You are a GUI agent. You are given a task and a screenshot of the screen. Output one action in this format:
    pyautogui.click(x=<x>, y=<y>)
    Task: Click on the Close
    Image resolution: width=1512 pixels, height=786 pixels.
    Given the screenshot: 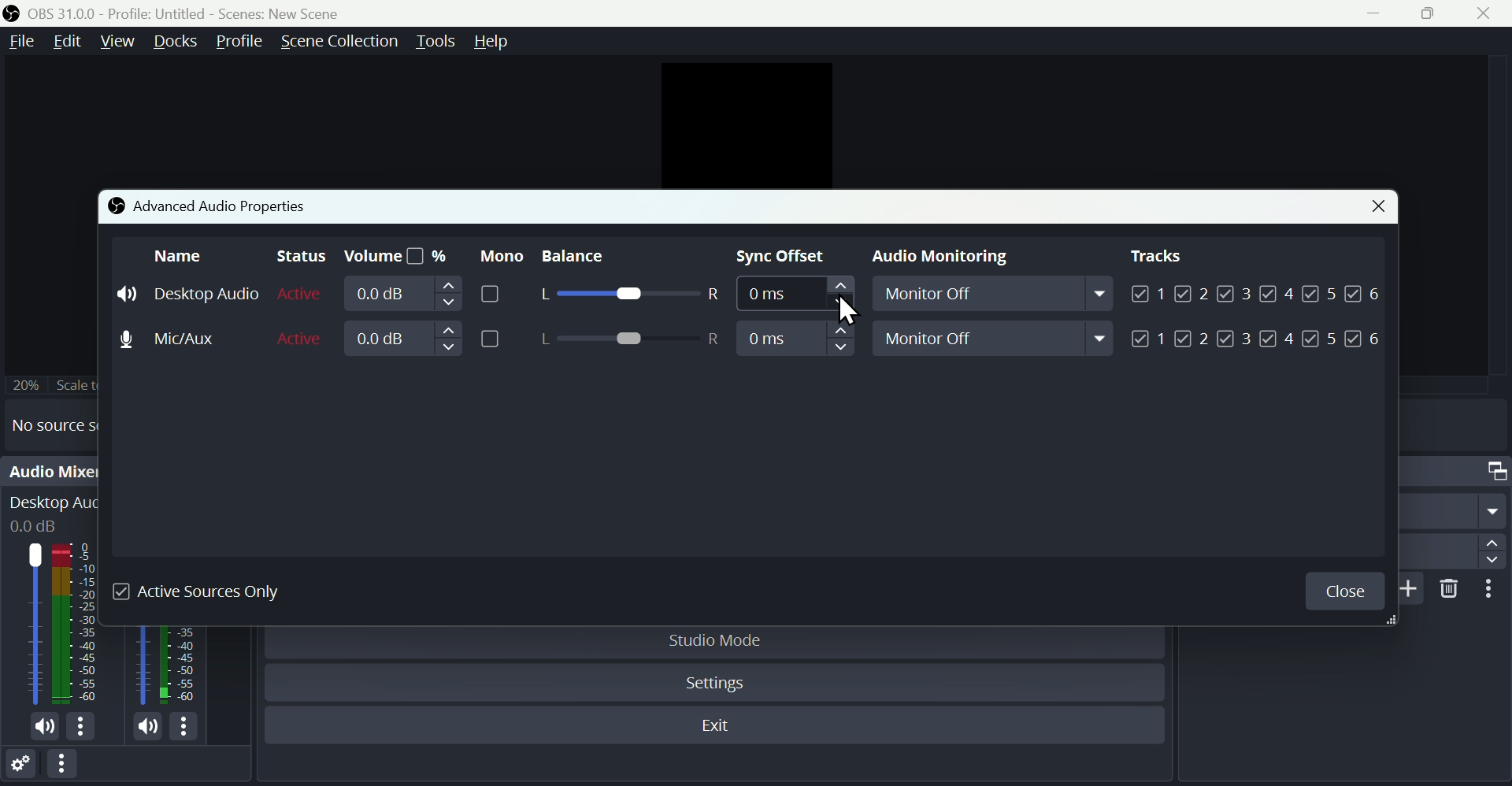 What is the action you would take?
    pyautogui.click(x=1344, y=591)
    